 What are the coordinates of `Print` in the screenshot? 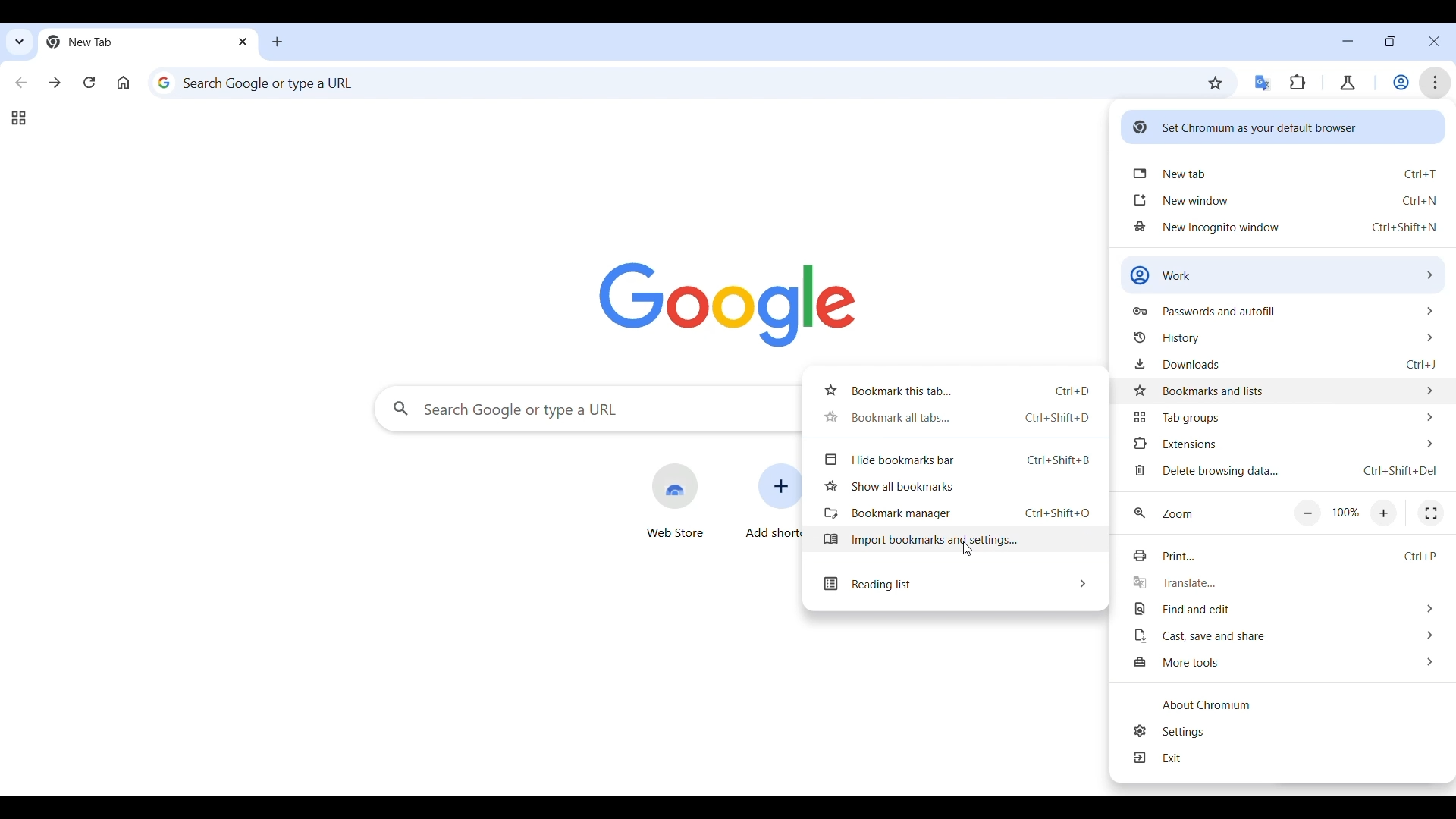 It's located at (1282, 556).